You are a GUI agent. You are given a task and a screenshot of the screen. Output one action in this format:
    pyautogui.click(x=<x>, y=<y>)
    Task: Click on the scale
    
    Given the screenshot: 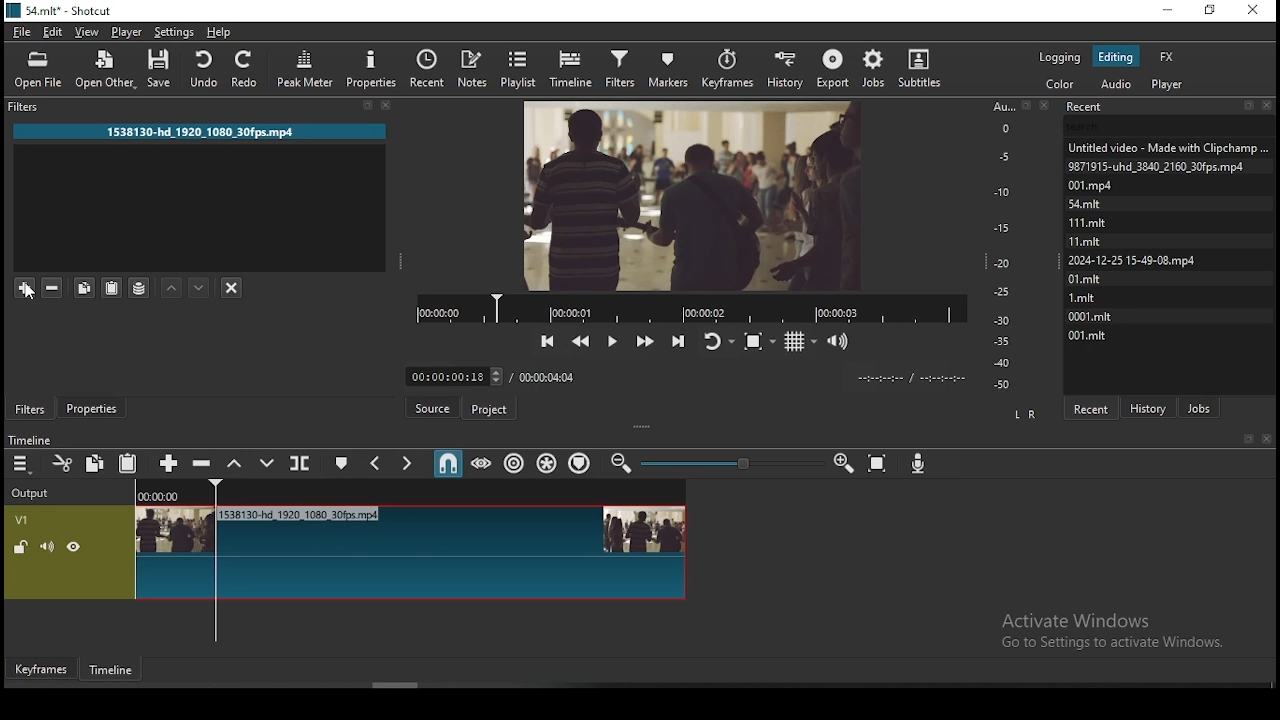 What is the action you would take?
    pyautogui.click(x=1005, y=246)
    